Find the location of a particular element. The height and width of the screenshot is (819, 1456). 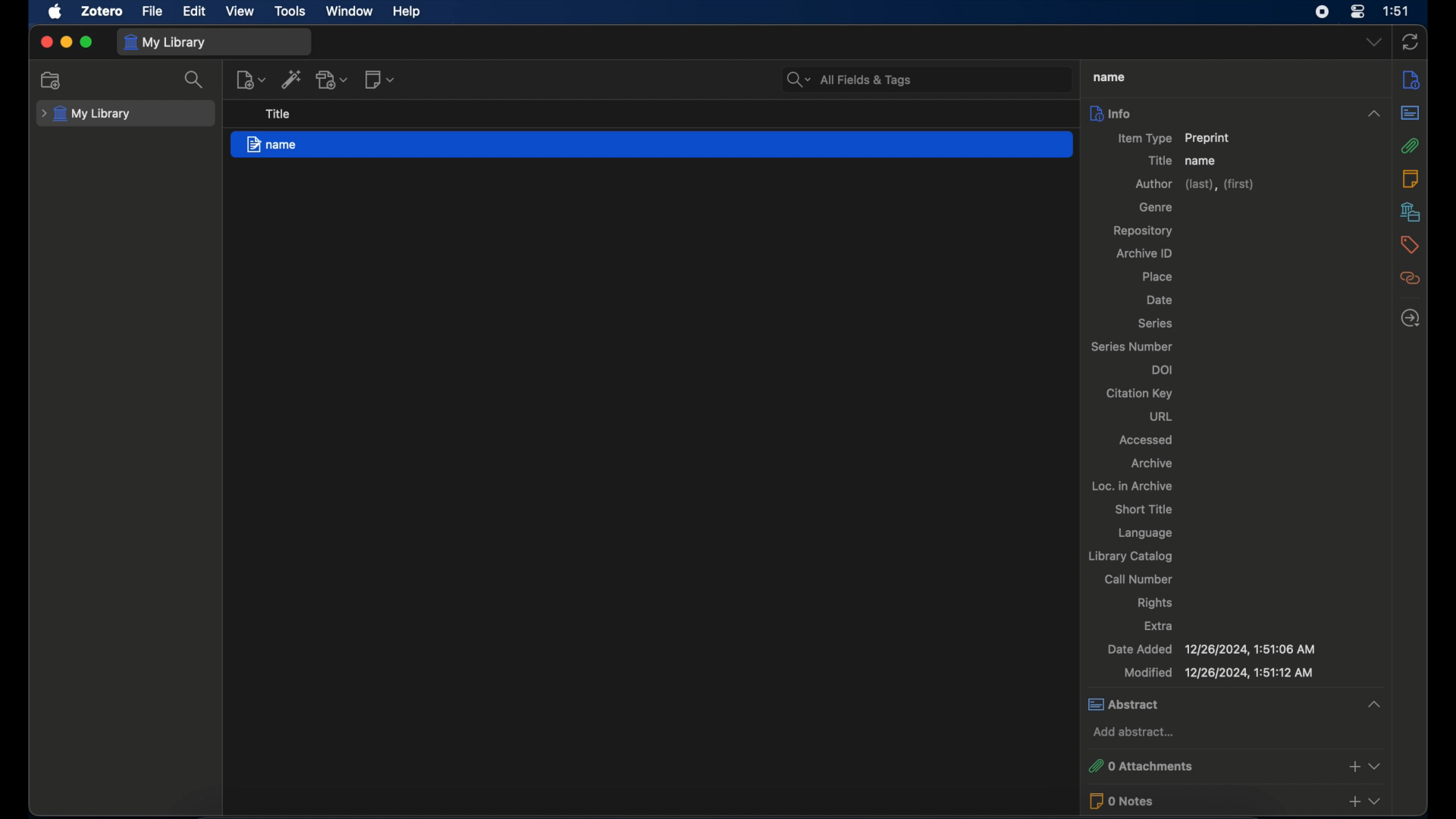

short title is located at coordinates (1146, 509).